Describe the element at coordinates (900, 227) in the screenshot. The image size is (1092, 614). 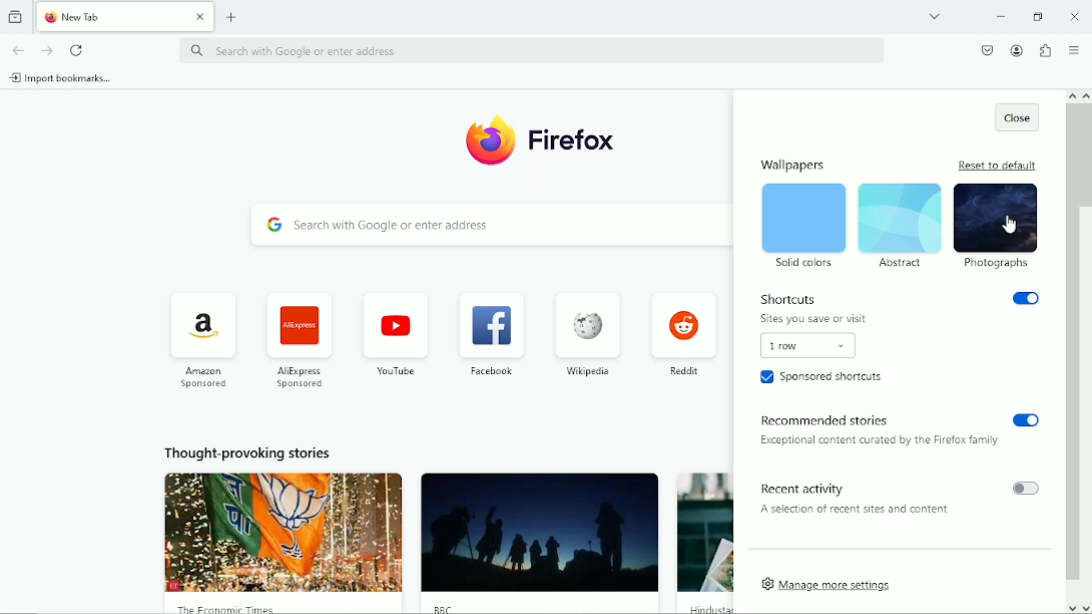
I see `Abstract` at that location.